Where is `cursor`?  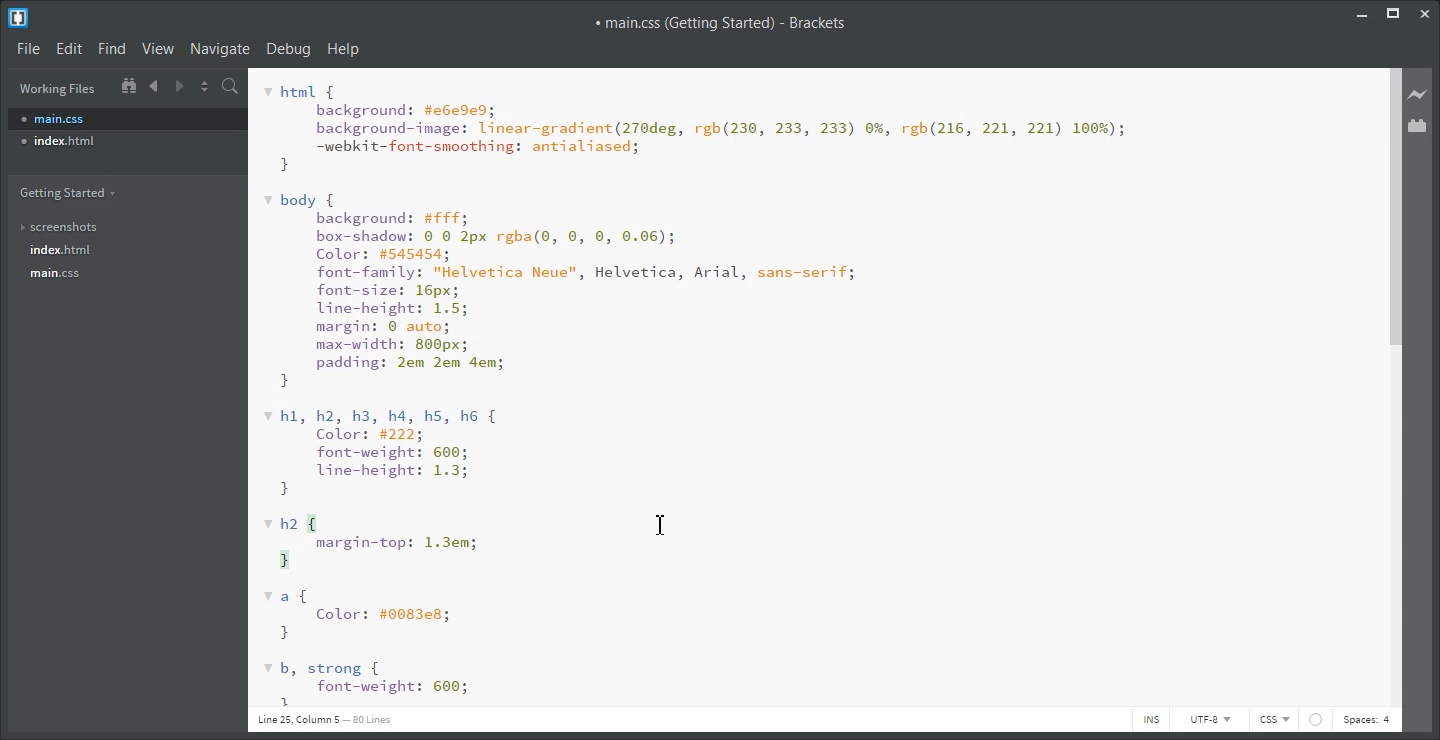 cursor is located at coordinates (667, 523).